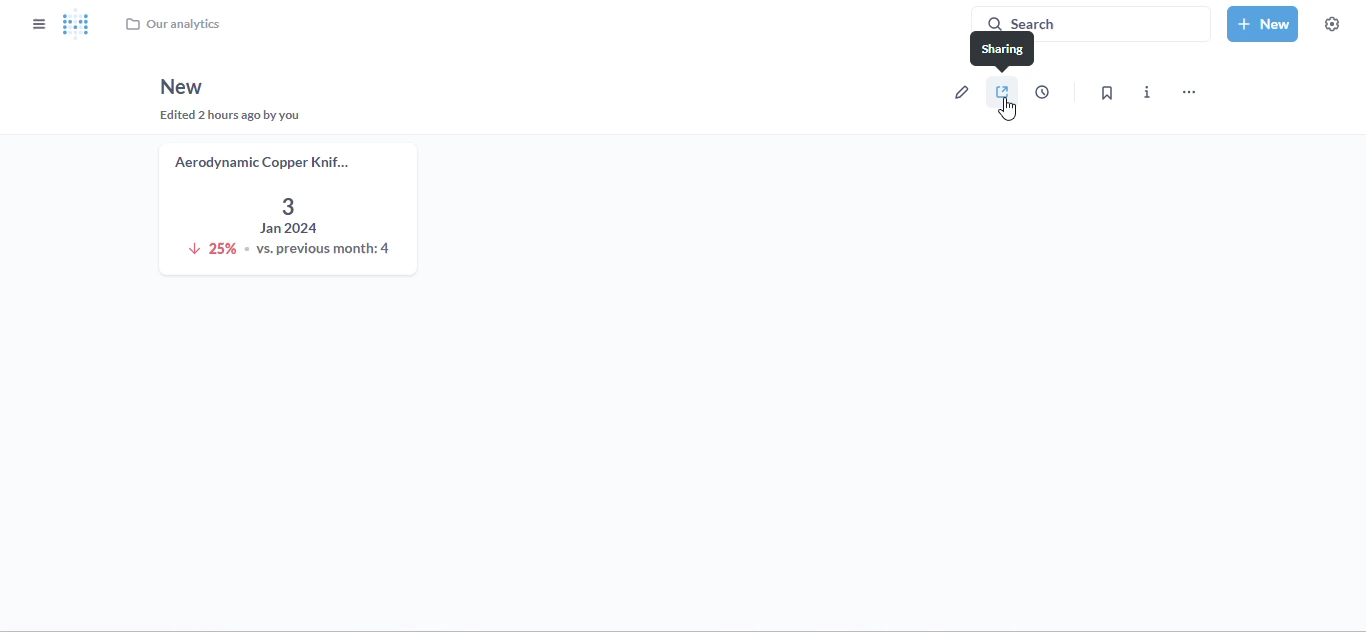 The width and height of the screenshot is (1366, 632). What do you see at coordinates (77, 23) in the screenshot?
I see `logo` at bounding box center [77, 23].